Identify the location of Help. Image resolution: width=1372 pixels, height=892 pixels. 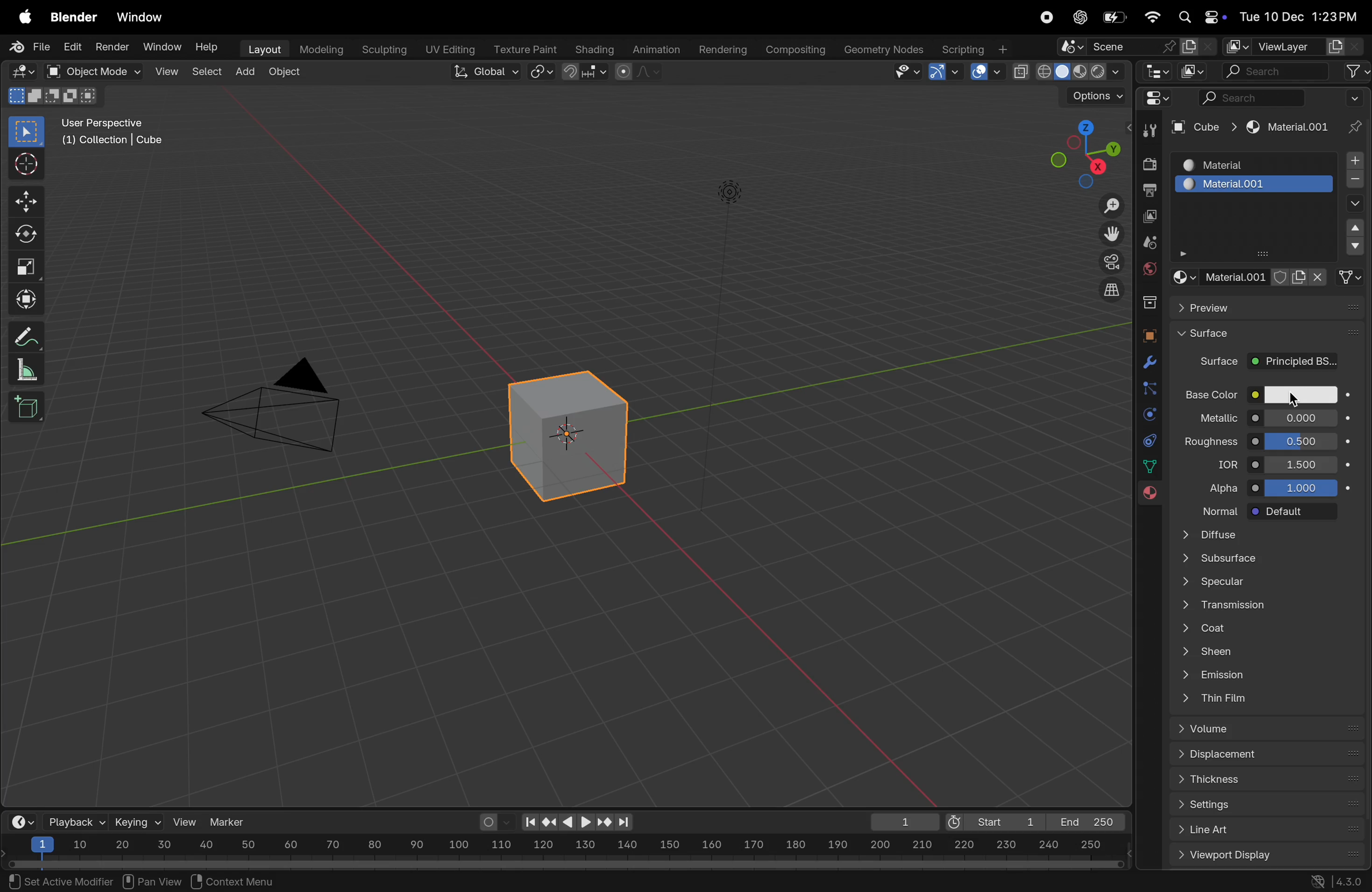
(209, 48).